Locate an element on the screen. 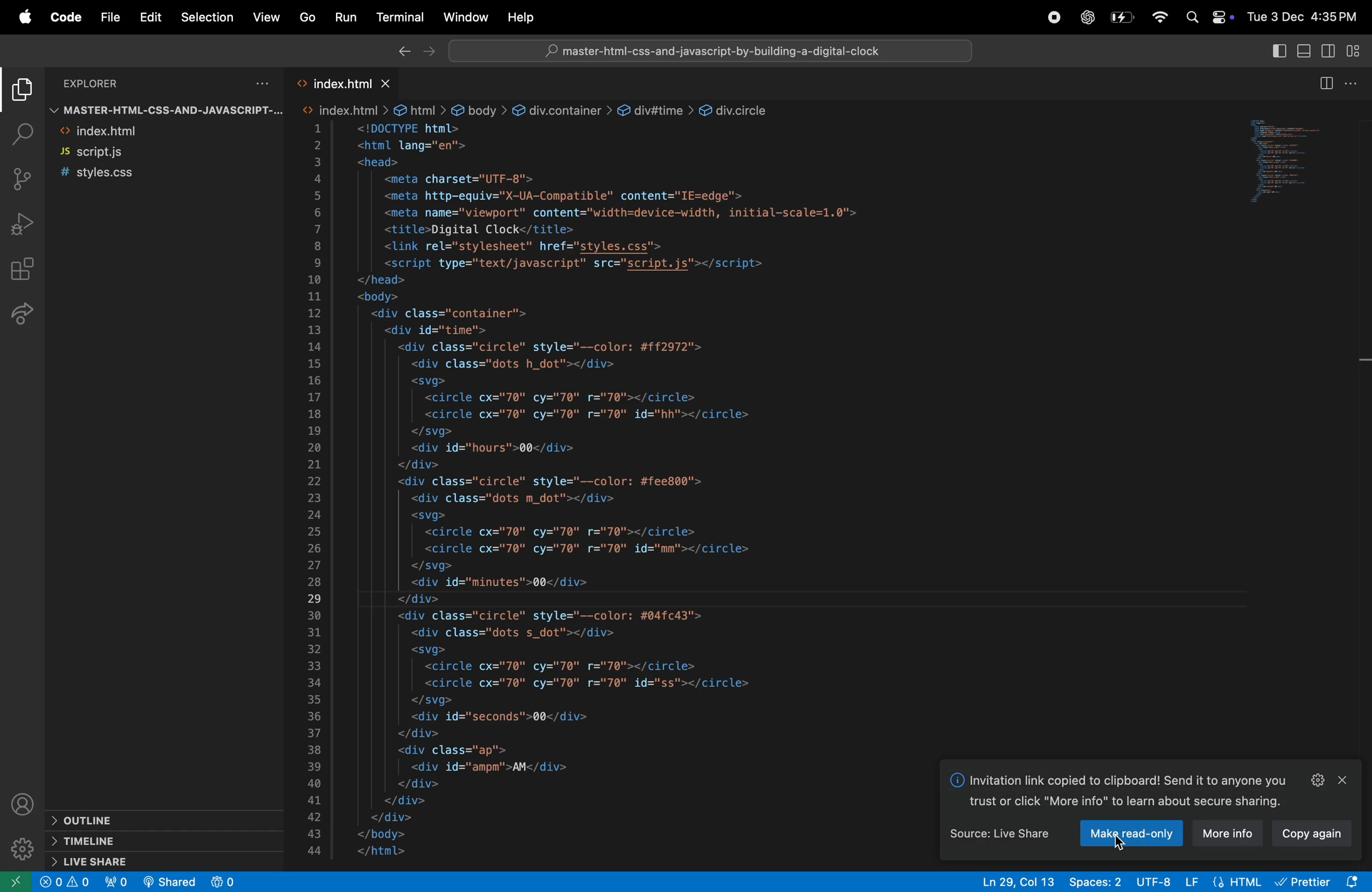 The width and height of the screenshot is (1372, 892). index.html is located at coordinates (139, 132).